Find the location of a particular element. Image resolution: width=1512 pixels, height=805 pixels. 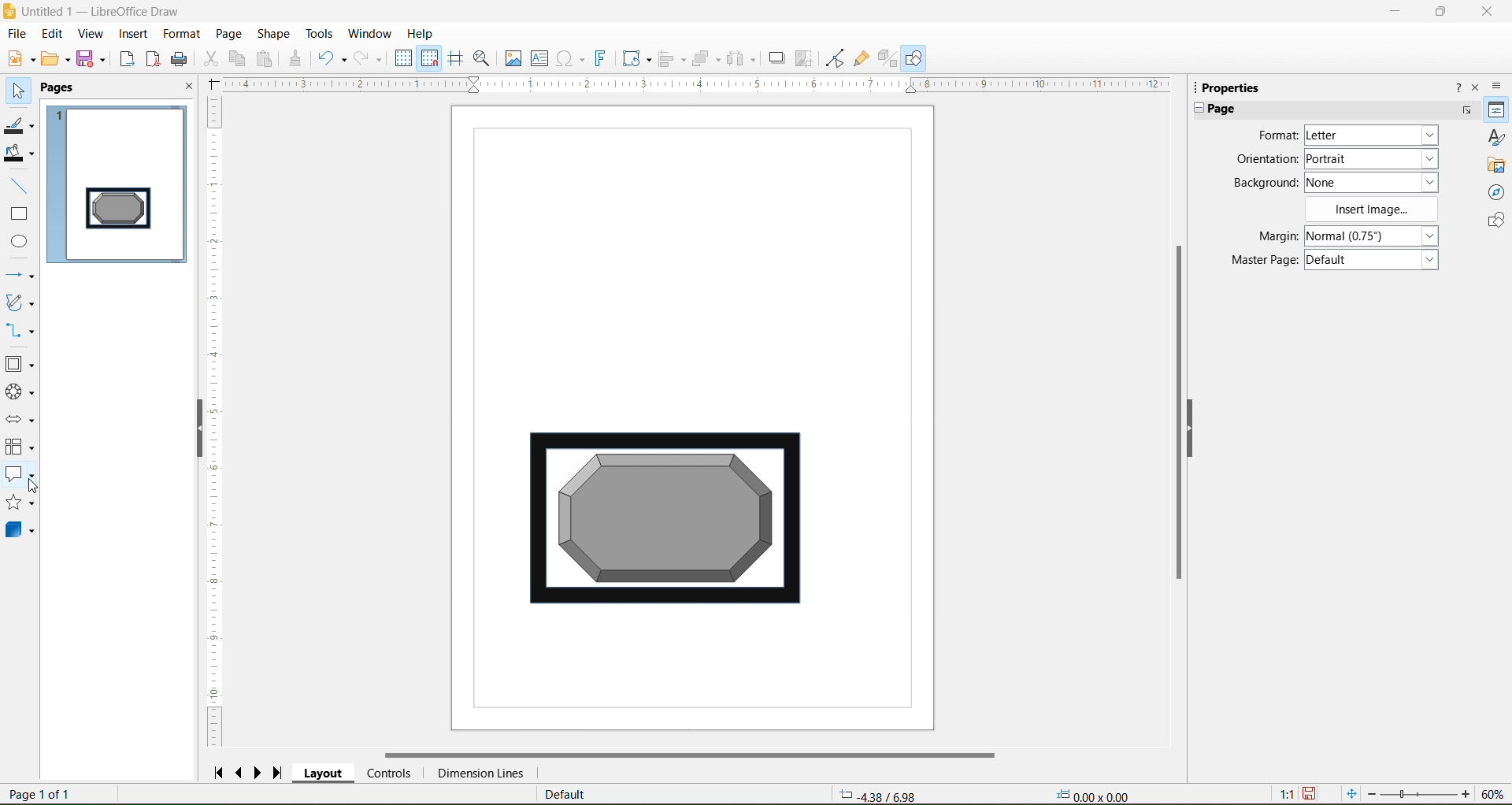

Page 1 of 1 is located at coordinates (43, 795).